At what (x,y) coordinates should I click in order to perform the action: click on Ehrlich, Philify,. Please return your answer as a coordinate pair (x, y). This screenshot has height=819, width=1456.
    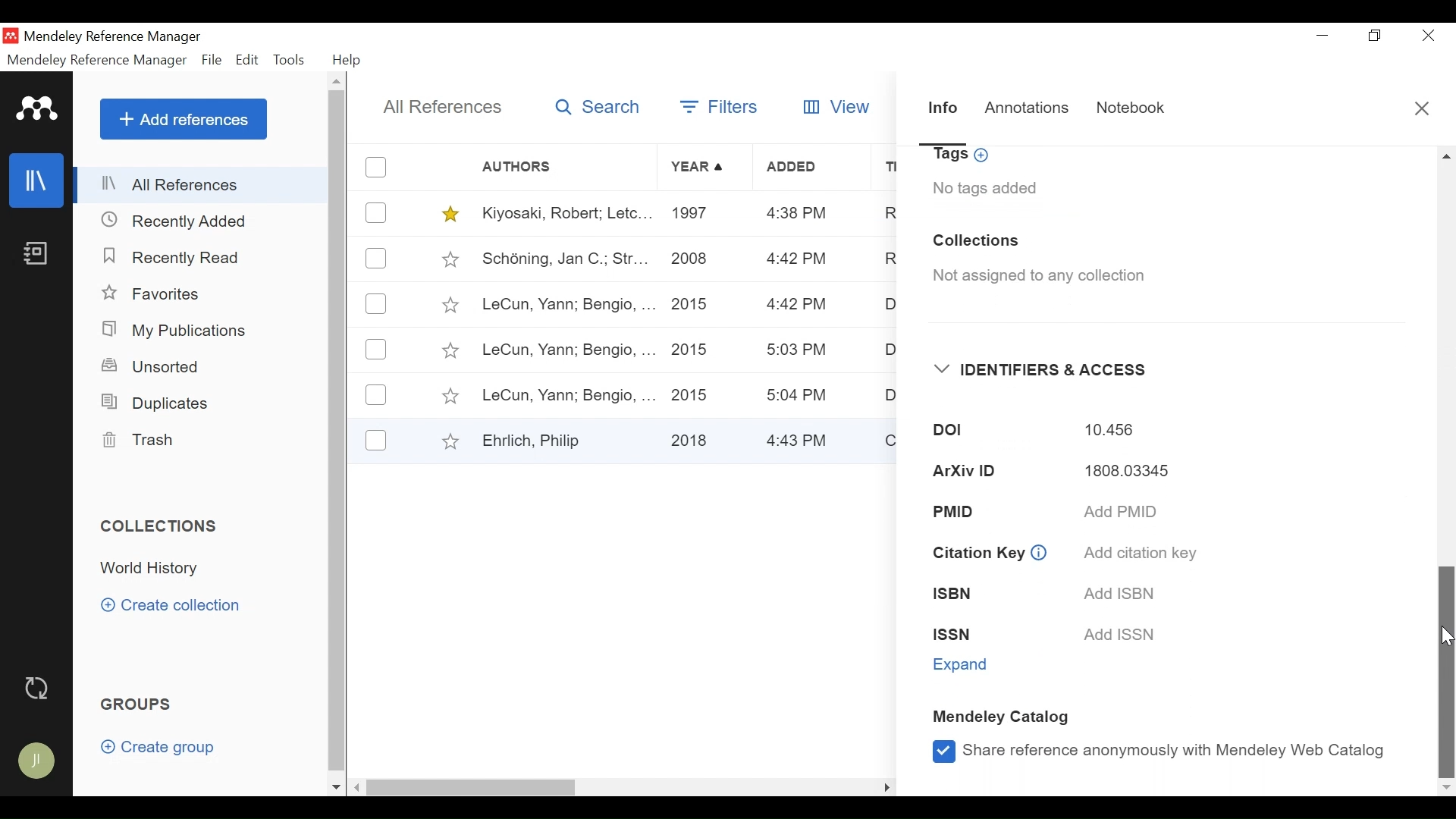
    Looking at the image, I should click on (566, 440).